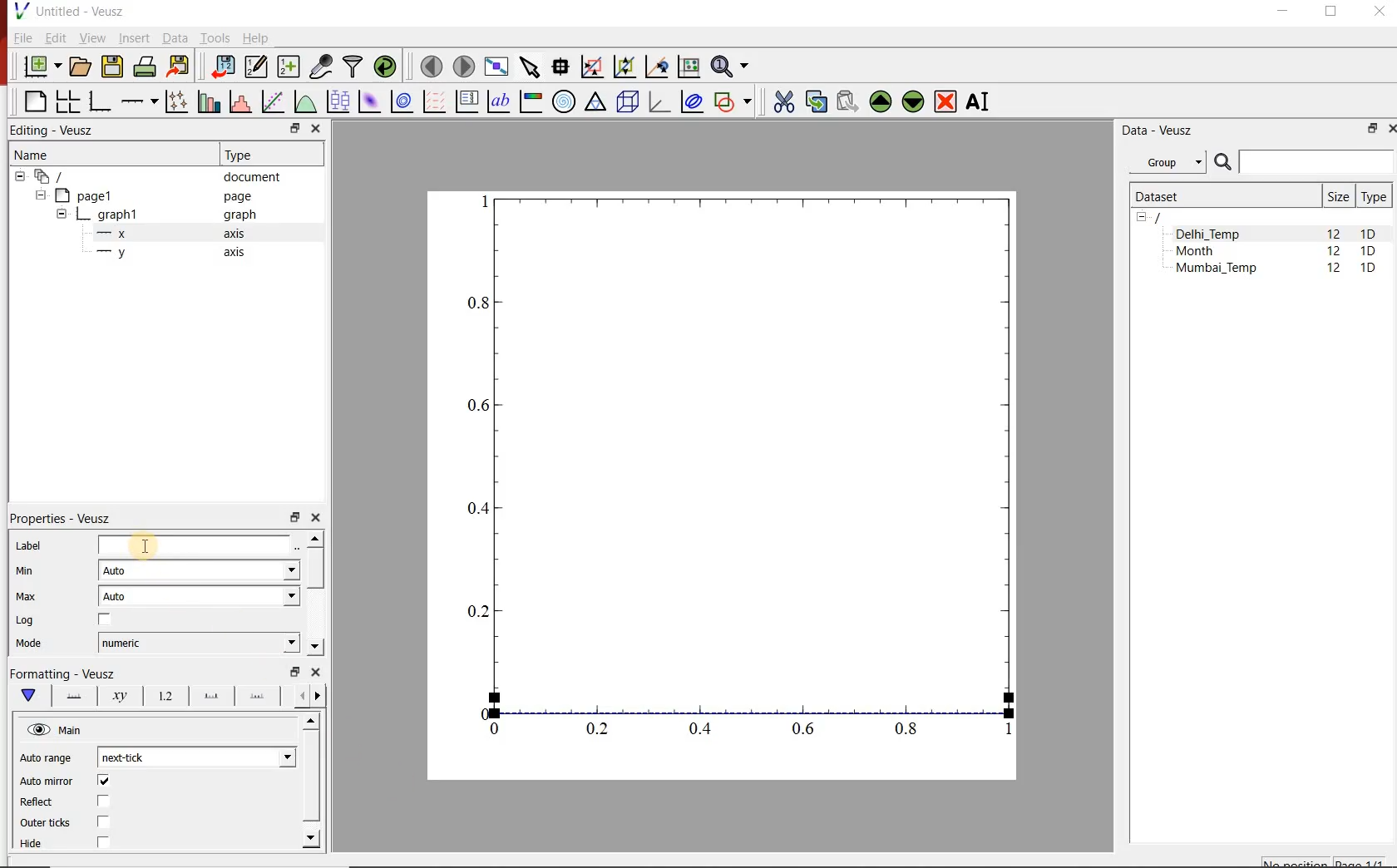  I want to click on MINIMIZE, so click(1284, 12).